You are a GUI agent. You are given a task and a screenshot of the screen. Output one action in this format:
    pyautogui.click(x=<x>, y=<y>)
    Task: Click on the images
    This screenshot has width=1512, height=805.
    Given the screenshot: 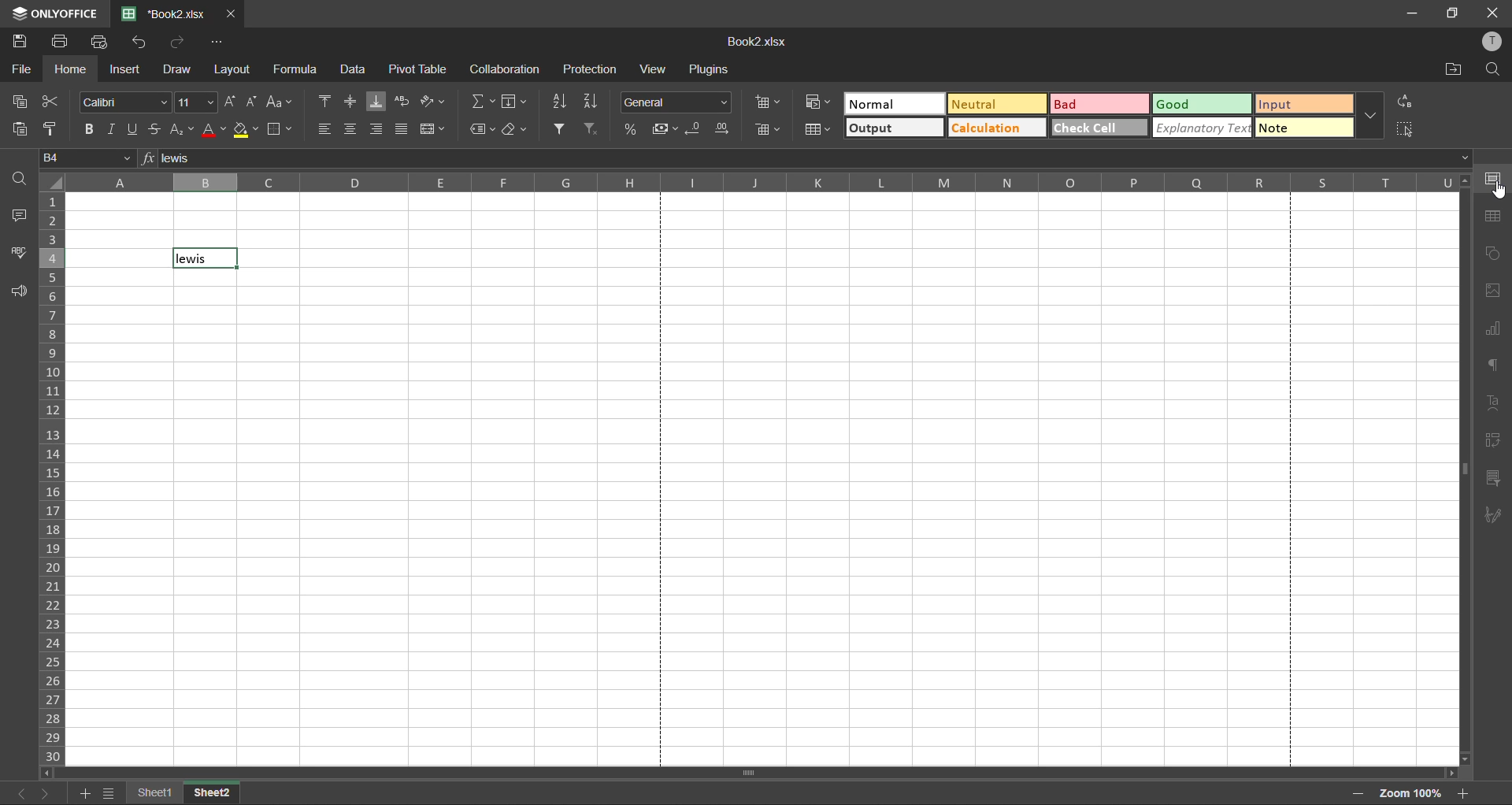 What is the action you would take?
    pyautogui.click(x=1497, y=290)
    